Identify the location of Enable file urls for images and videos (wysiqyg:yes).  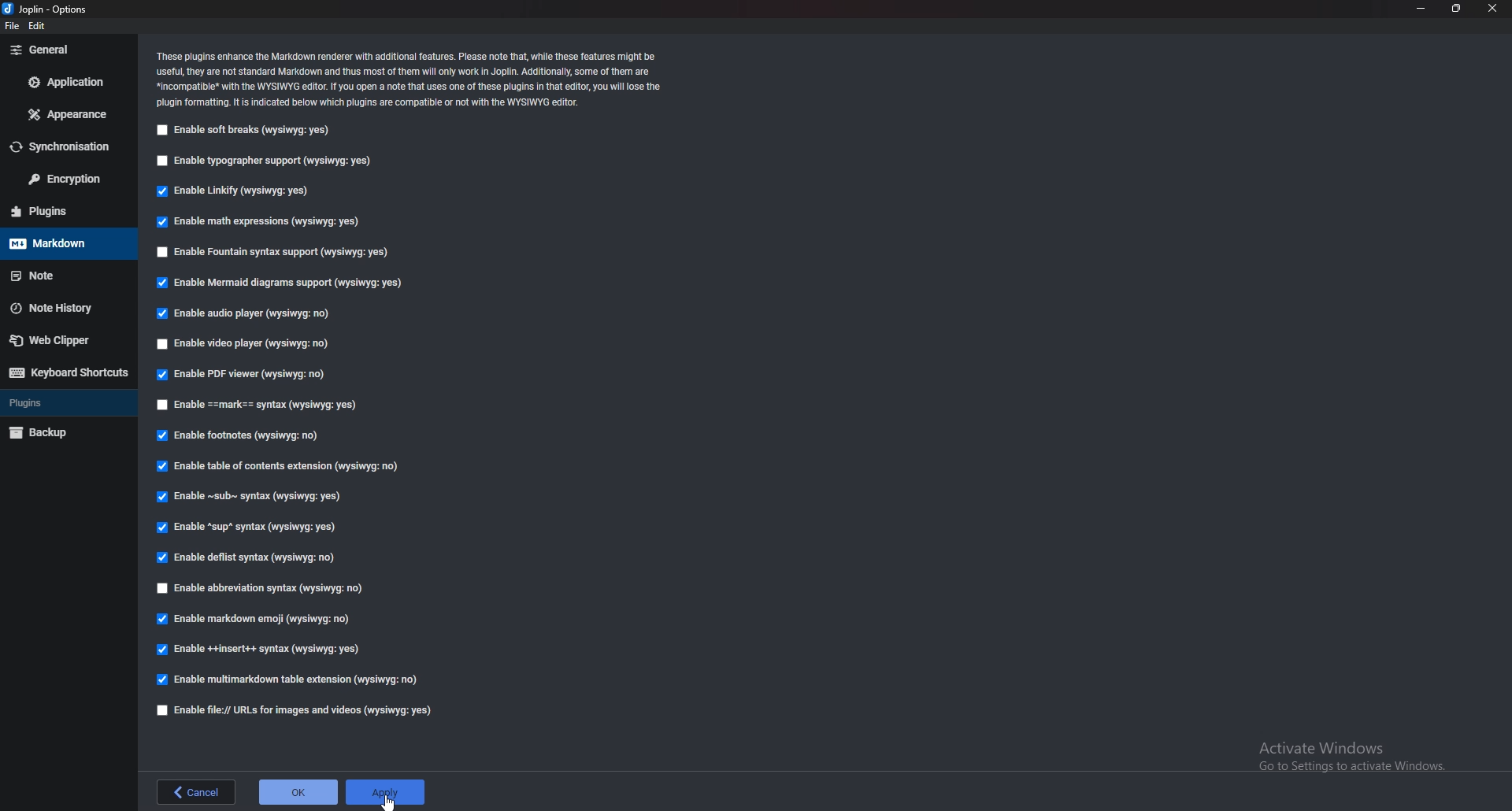
(297, 710).